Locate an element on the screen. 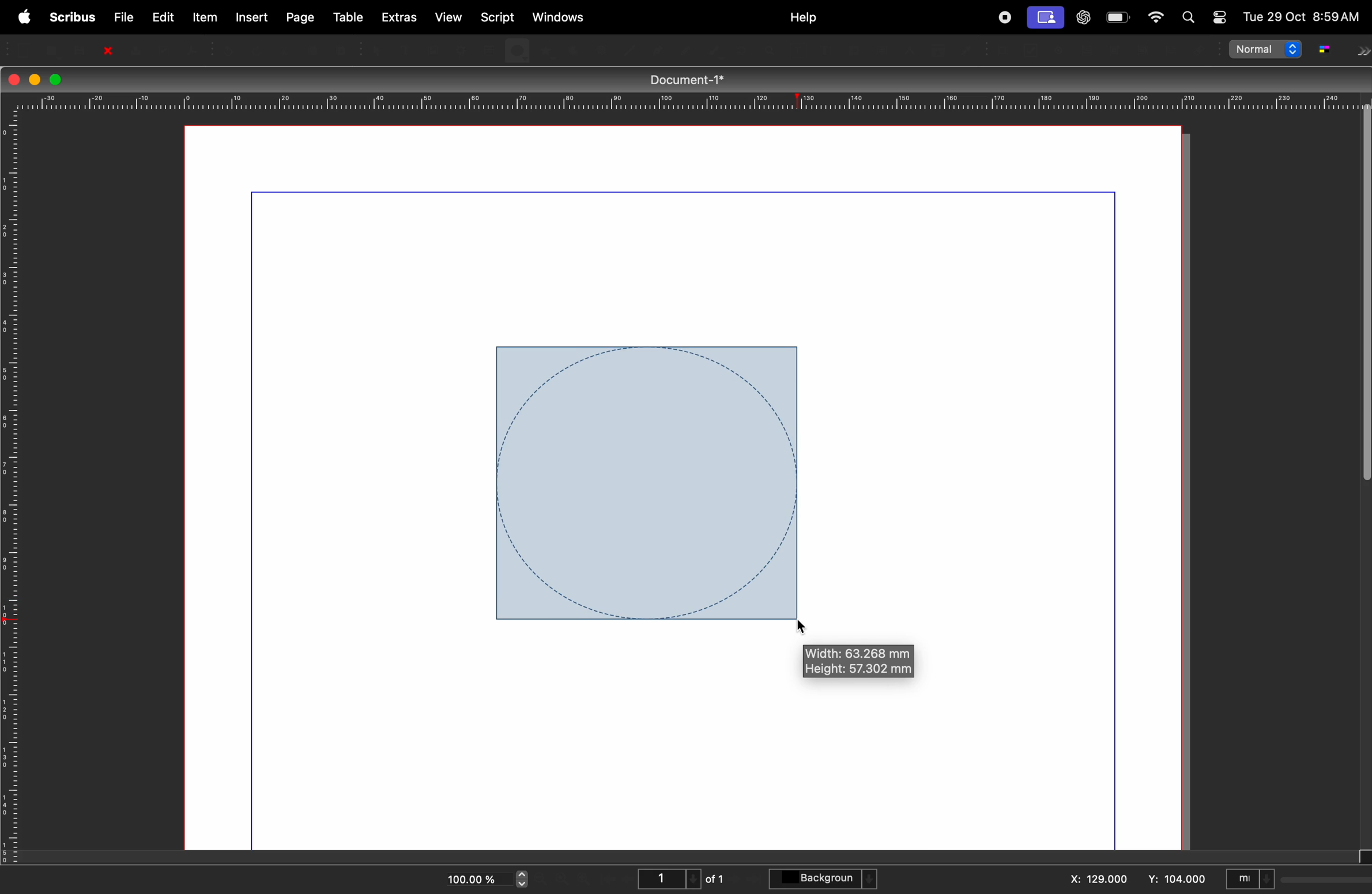 The width and height of the screenshot is (1372, 894). PDF combo box is located at coordinates (1117, 50).